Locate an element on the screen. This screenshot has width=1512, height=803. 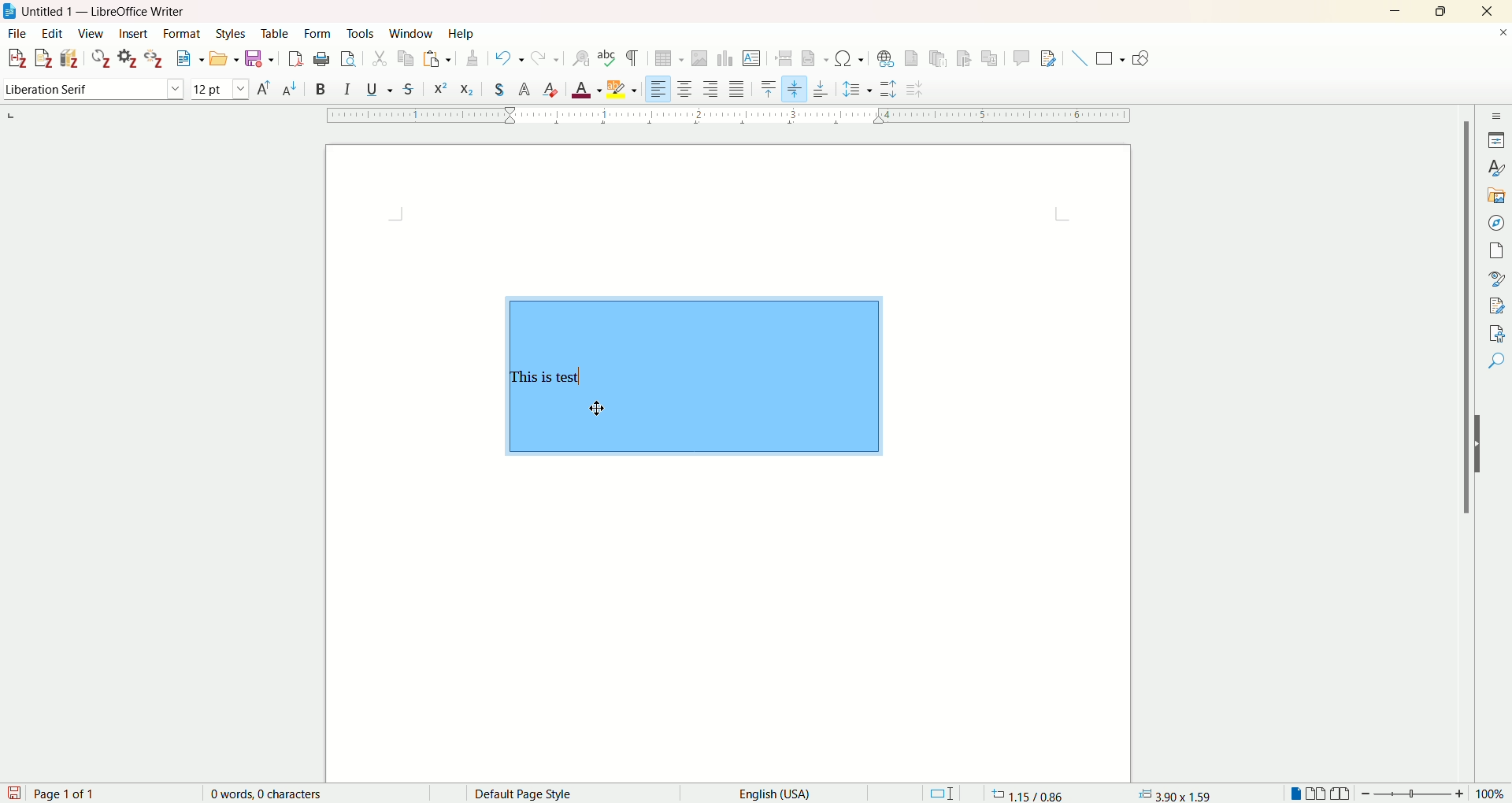
cut is located at coordinates (380, 59).